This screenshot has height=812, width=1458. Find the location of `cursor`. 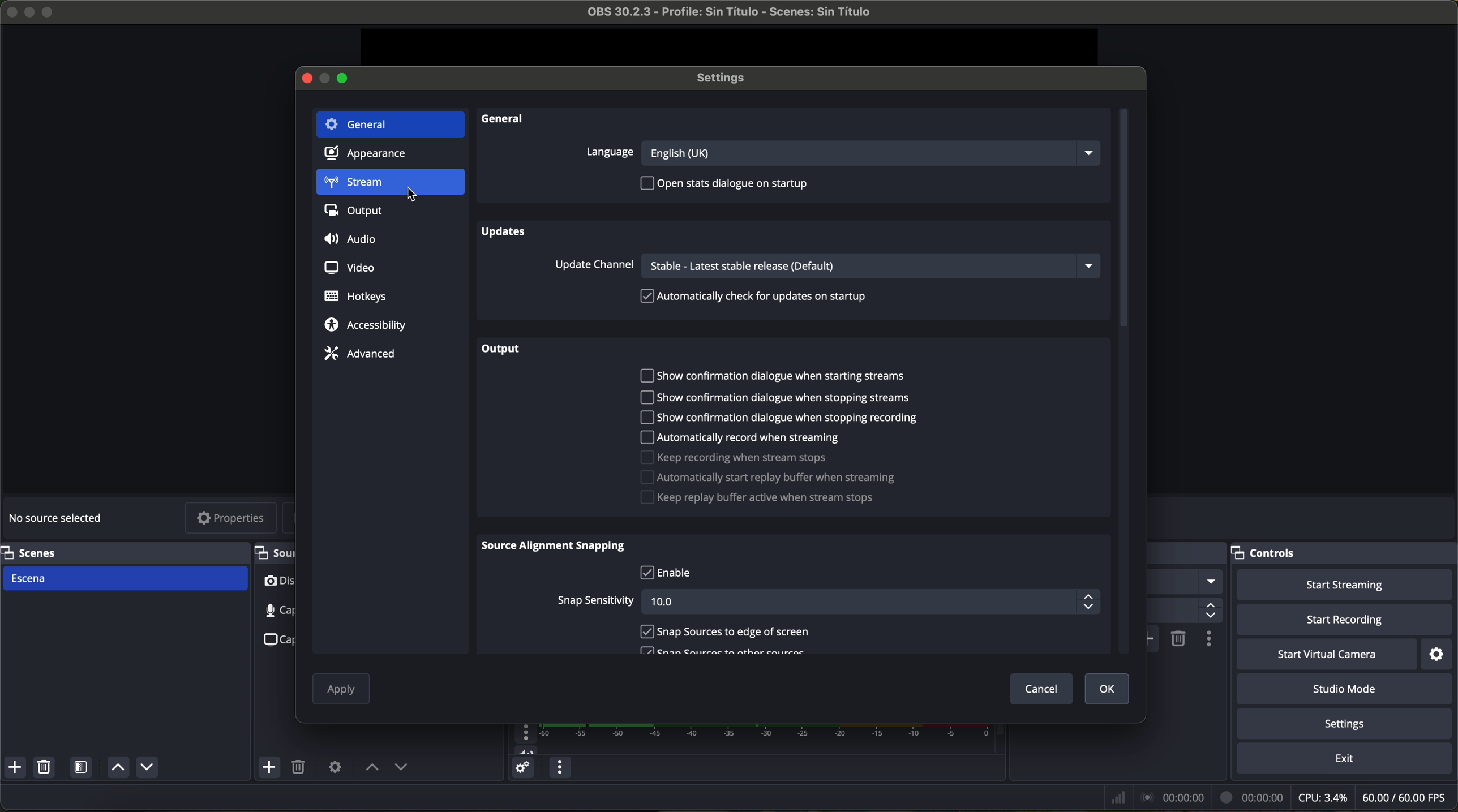

cursor is located at coordinates (417, 195).